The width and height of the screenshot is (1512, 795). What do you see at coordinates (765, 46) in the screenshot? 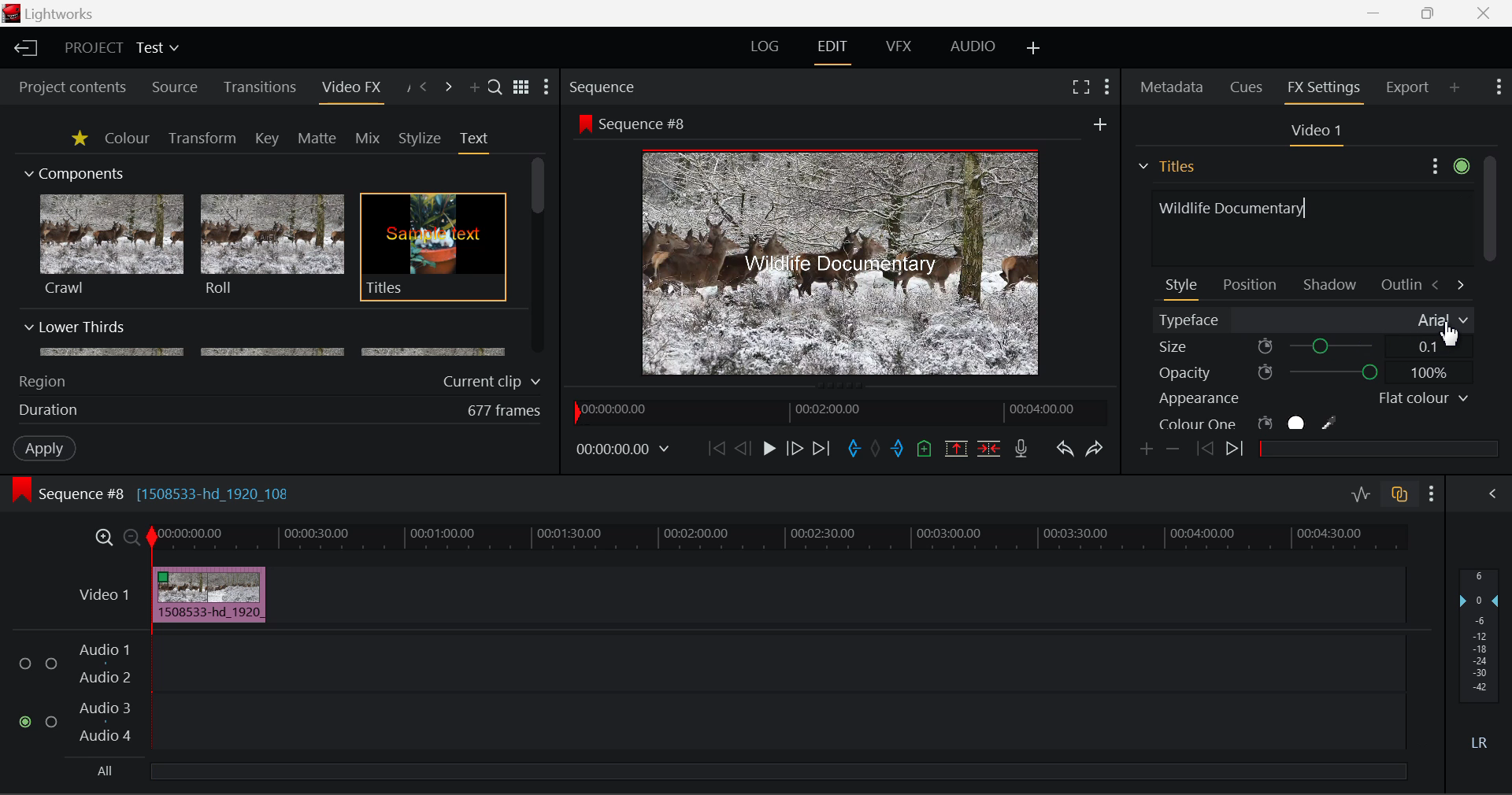
I see `LOG Layout` at bounding box center [765, 46].